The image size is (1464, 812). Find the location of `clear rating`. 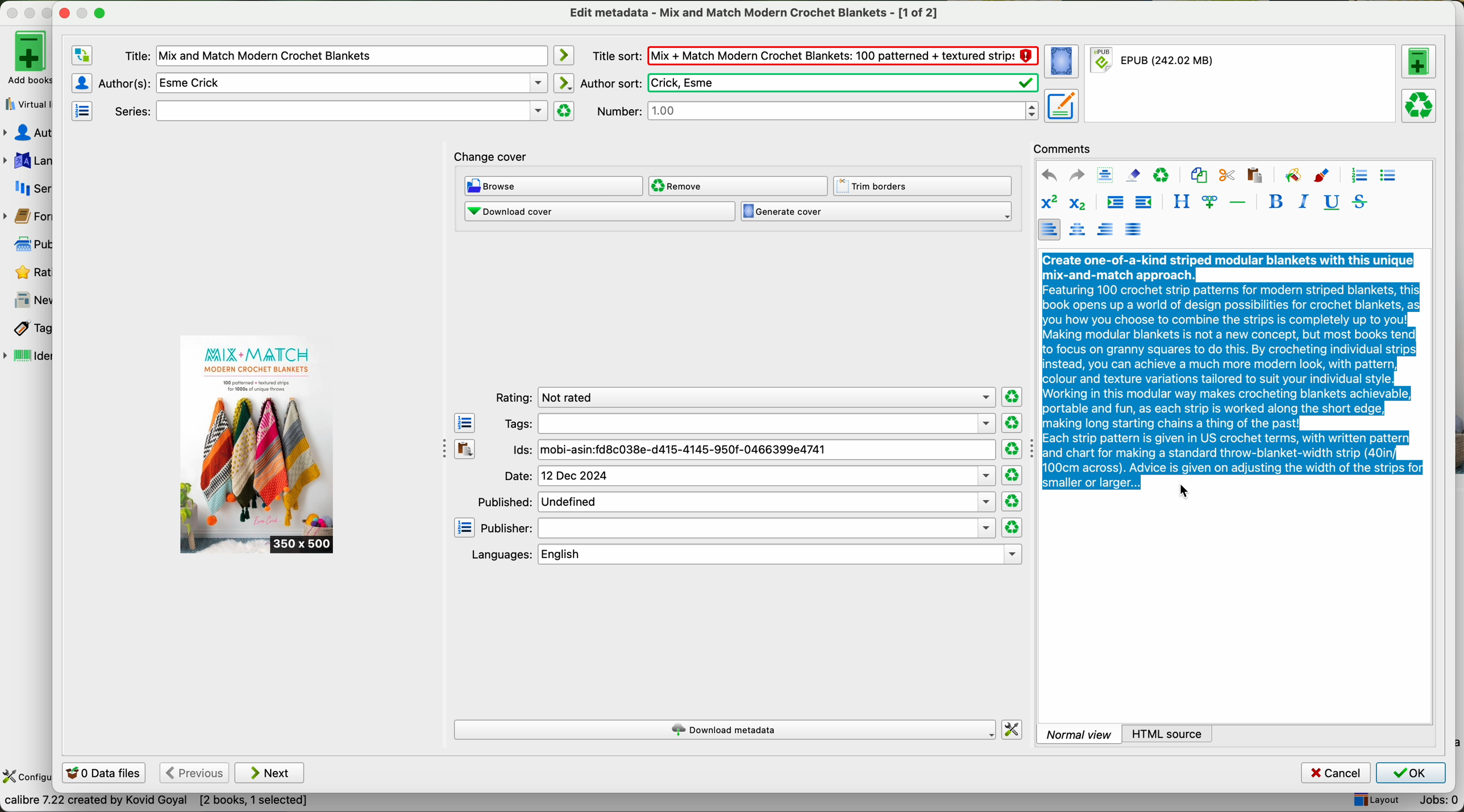

clear rating is located at coordinates (1012, 528).